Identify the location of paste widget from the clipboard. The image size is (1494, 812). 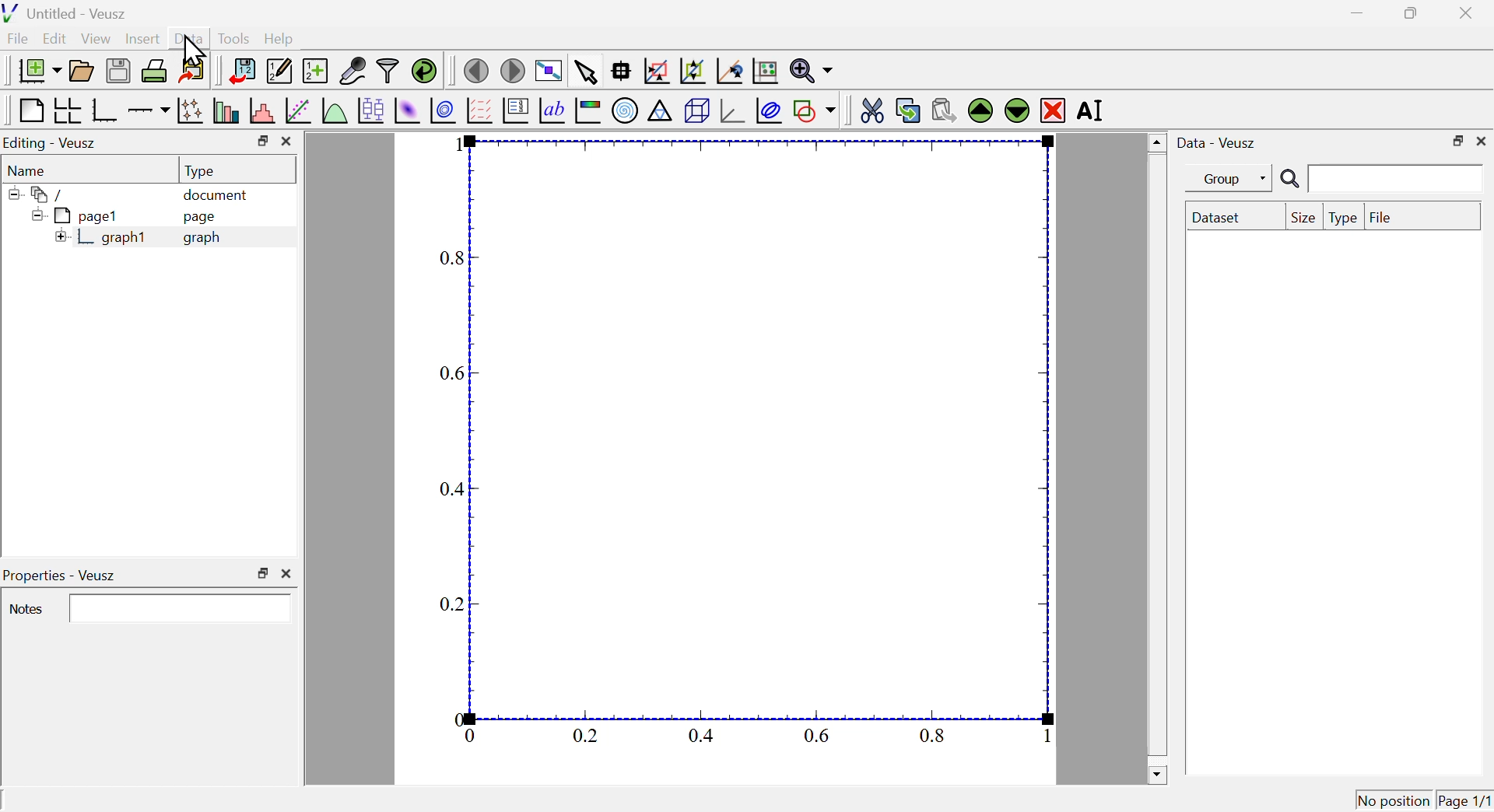
(945, 108).